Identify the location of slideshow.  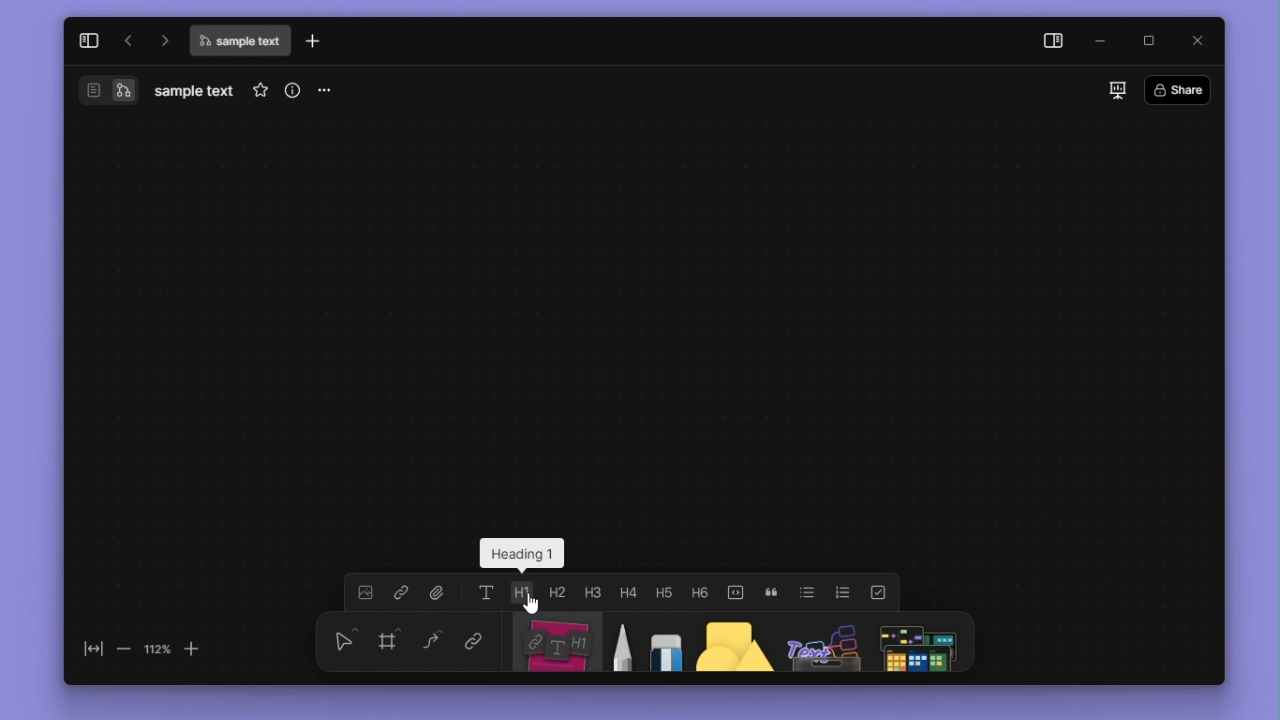
(1118, 90).